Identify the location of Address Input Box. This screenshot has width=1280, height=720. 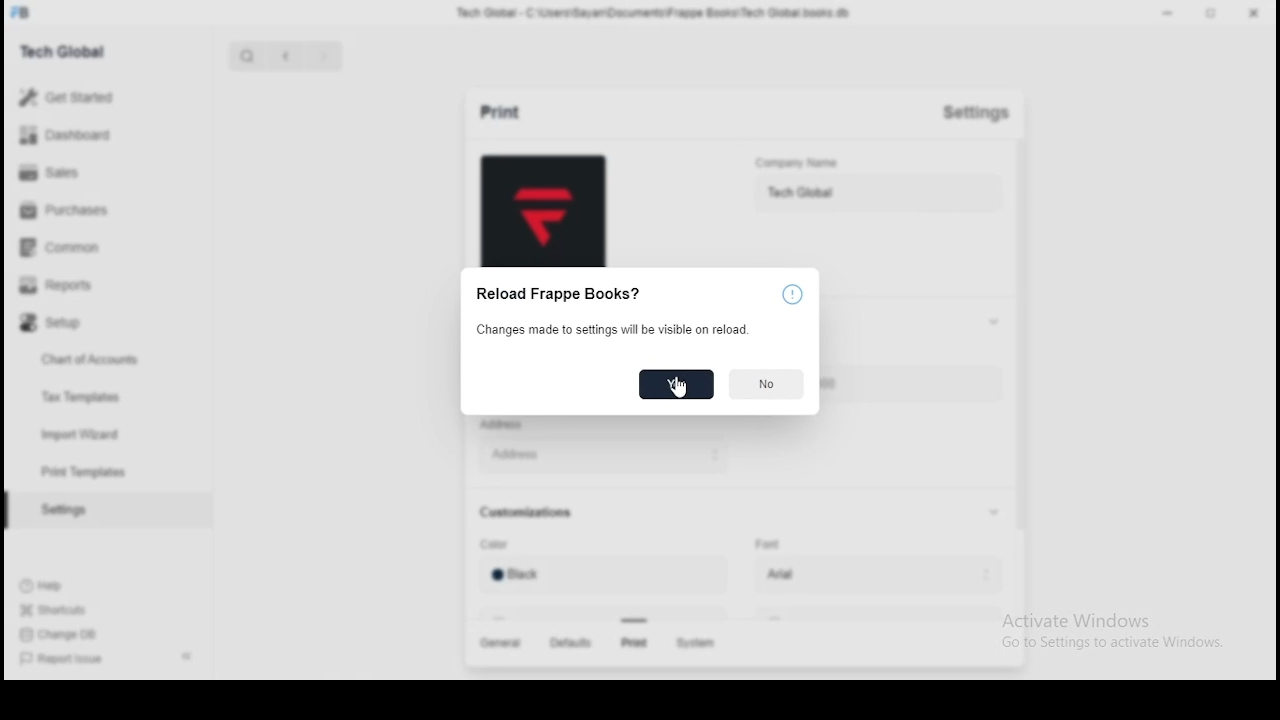
(600, 454).